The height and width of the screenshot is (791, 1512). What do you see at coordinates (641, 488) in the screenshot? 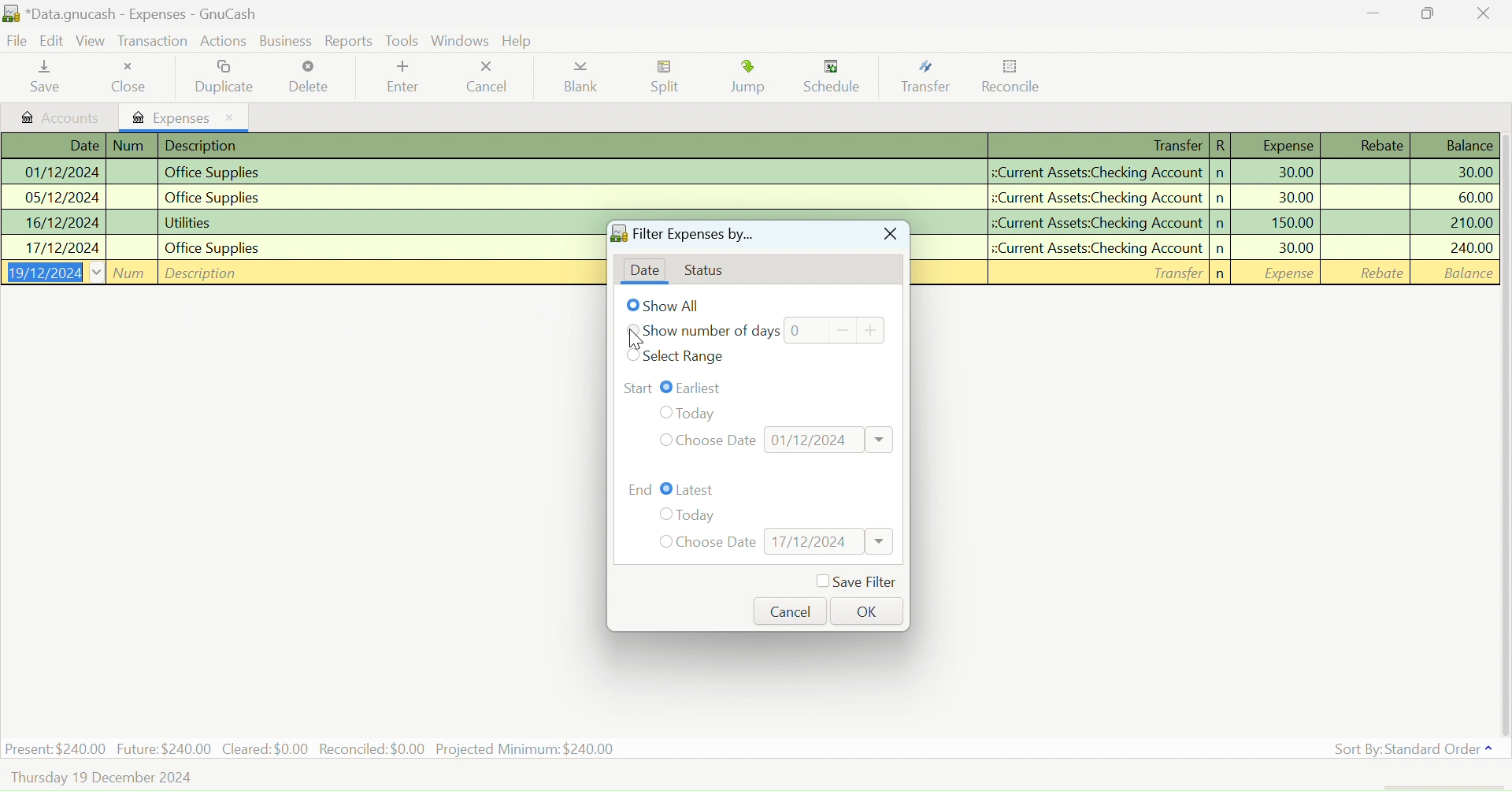
I see `Range End: Latest` at bounding box center [641, 488].